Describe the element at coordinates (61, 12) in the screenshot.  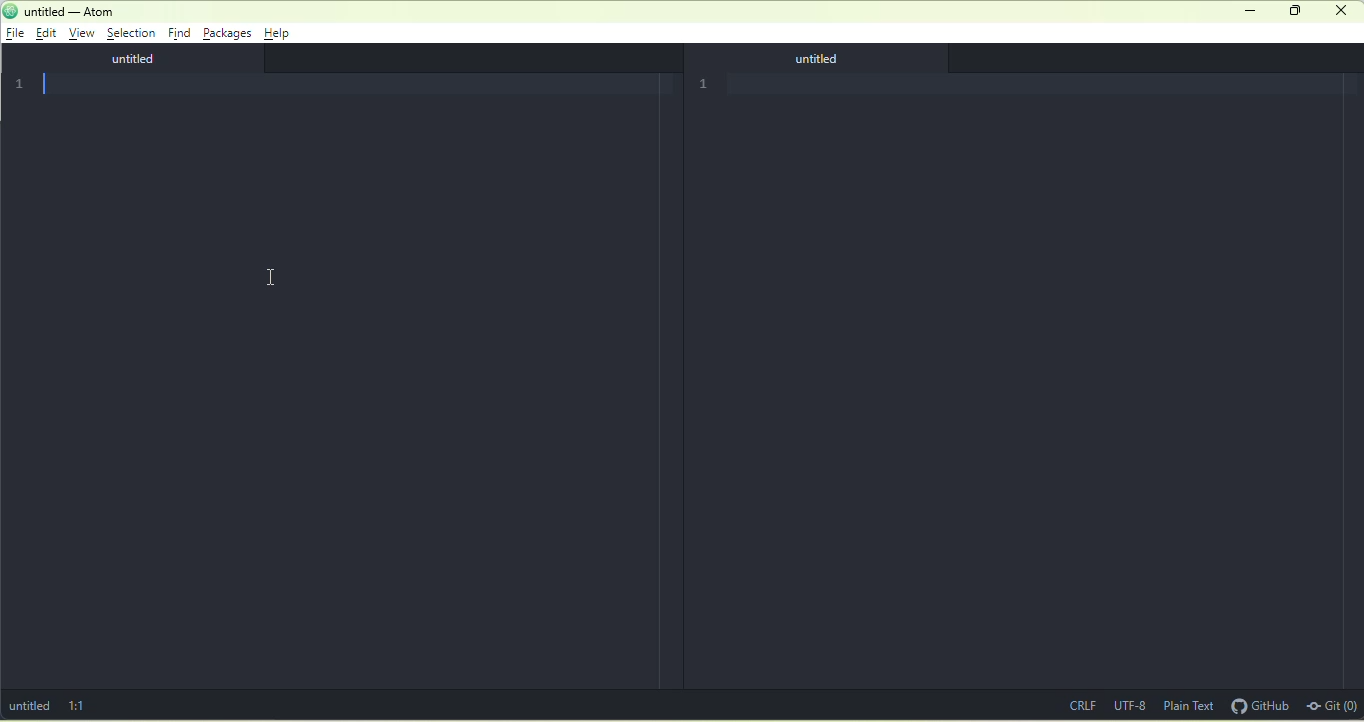
I see `title` at that location.